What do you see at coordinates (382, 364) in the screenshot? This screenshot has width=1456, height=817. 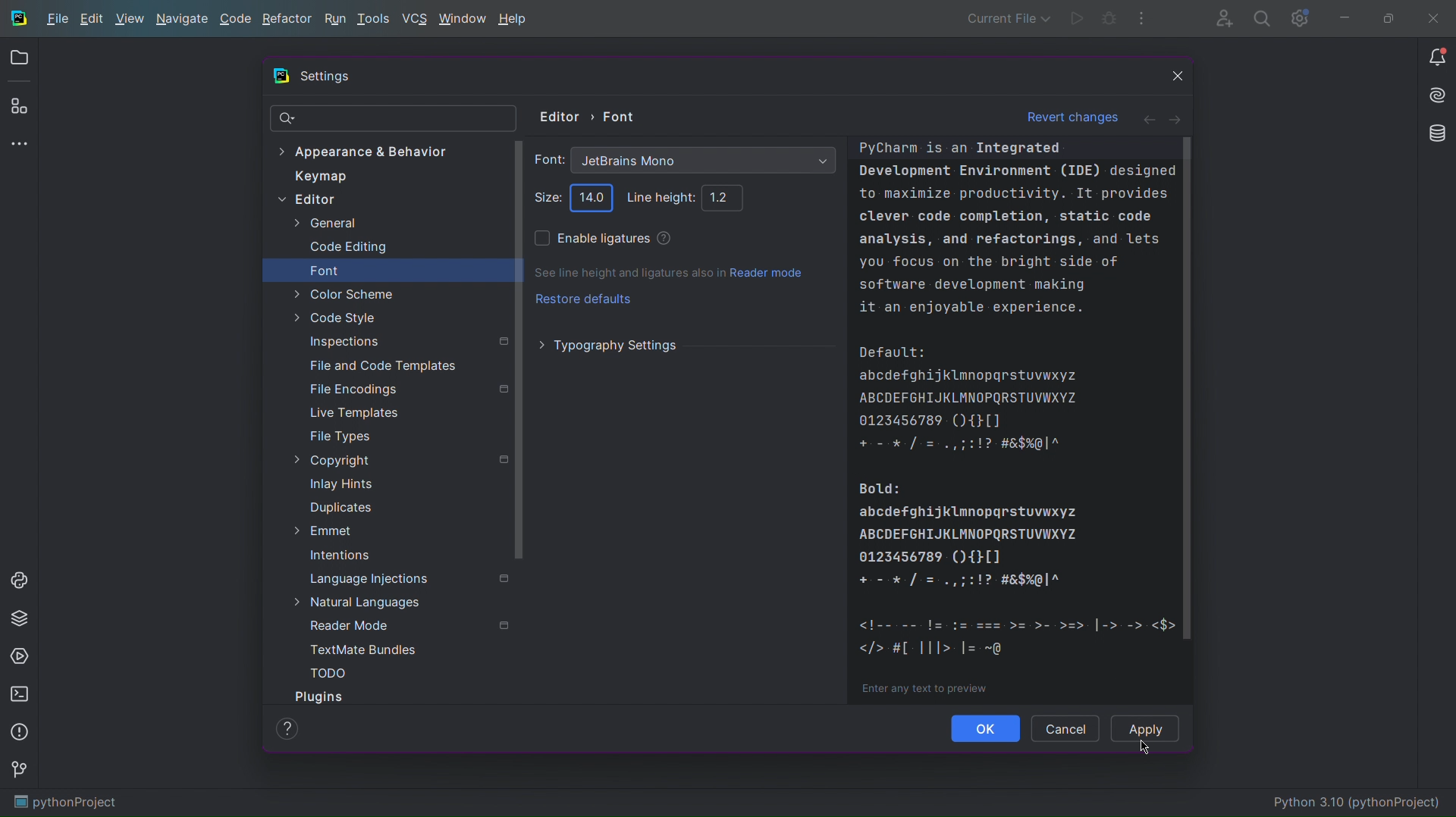 I see `File and Code Templates` at bounding box center [382, 364].